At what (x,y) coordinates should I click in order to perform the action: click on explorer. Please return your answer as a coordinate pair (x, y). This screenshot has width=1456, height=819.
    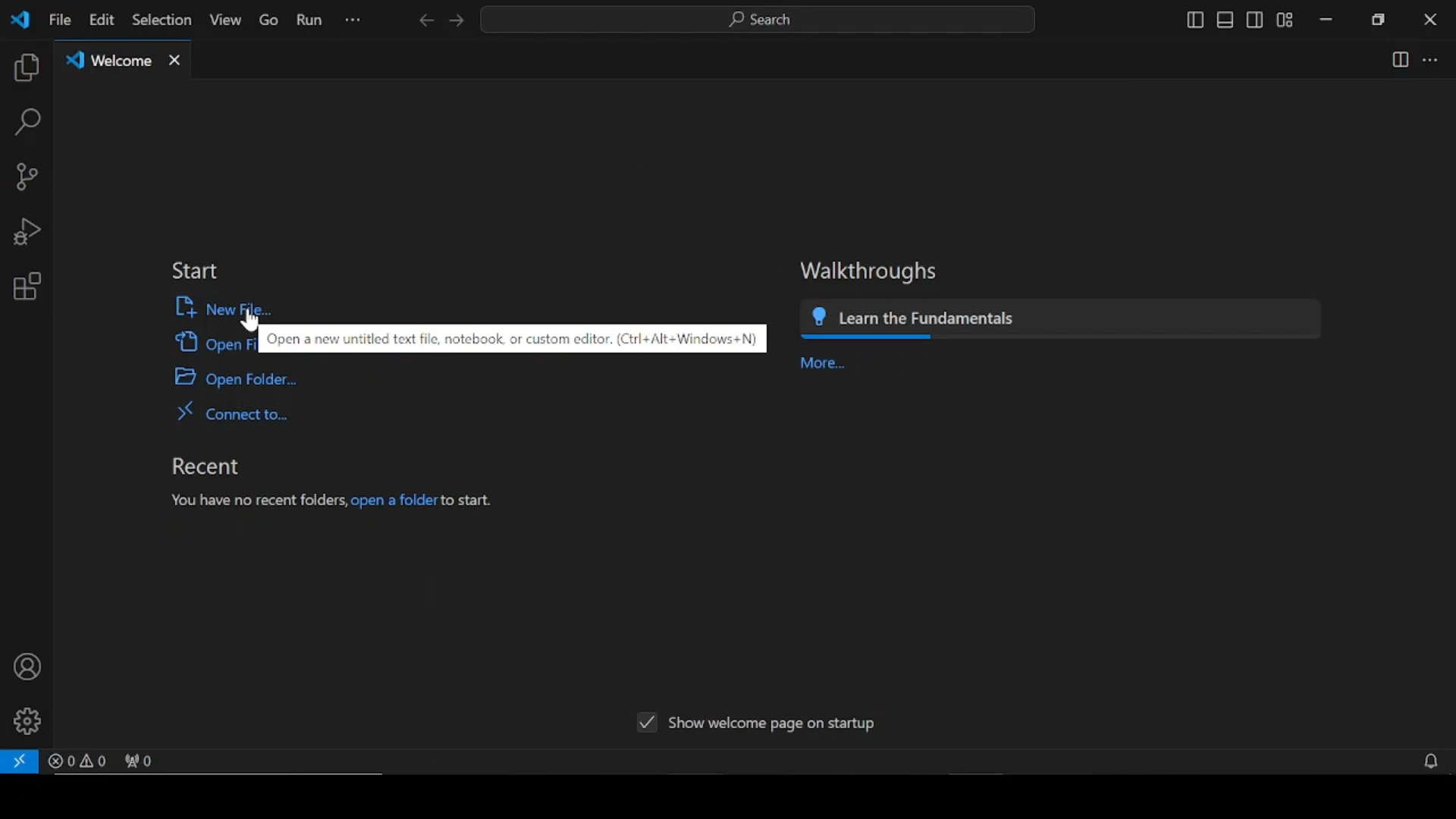
    Looking at the image, I should click on (27, 69).